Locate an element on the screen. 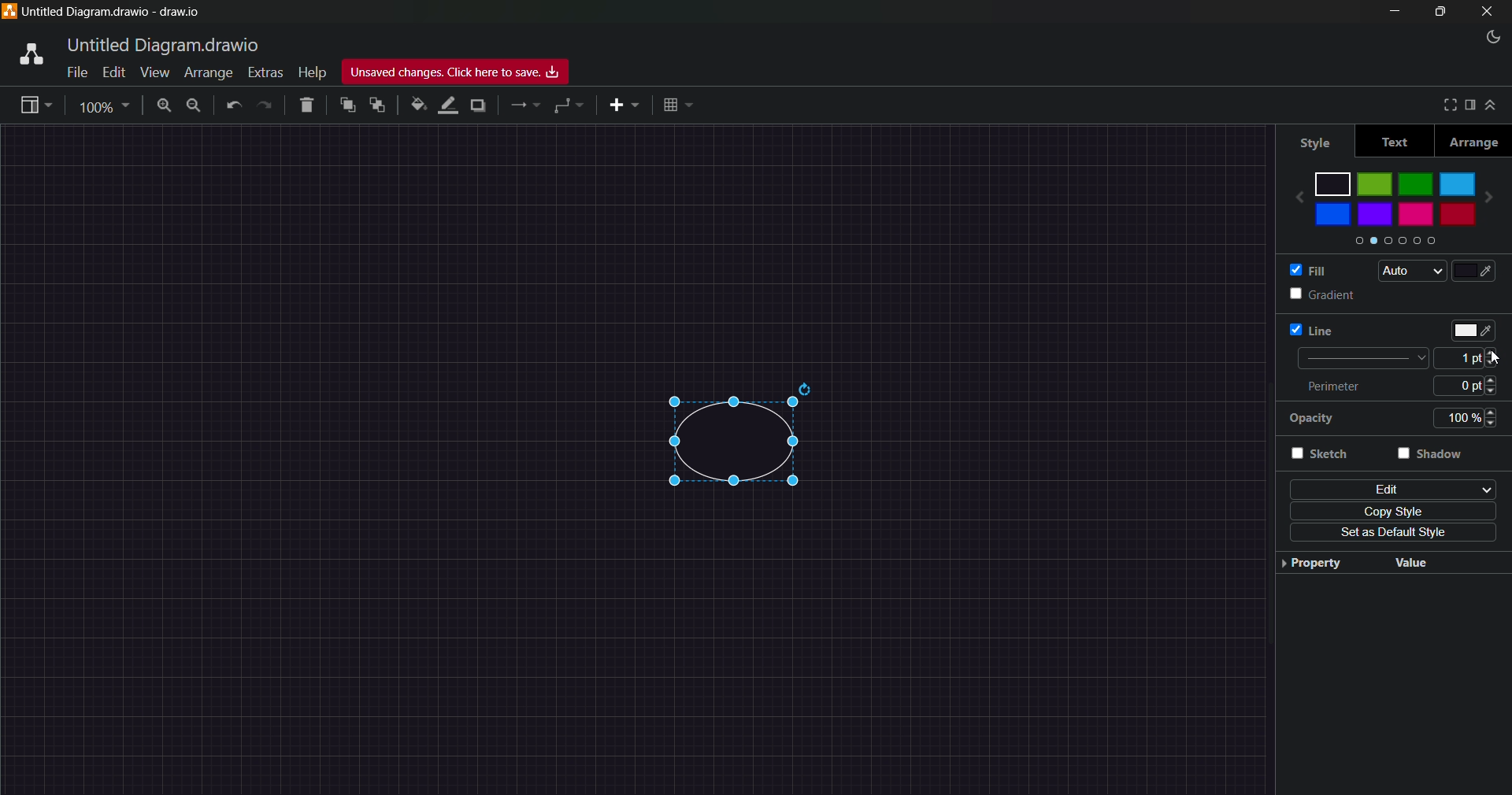  undo is located at coordinates (232, 107).